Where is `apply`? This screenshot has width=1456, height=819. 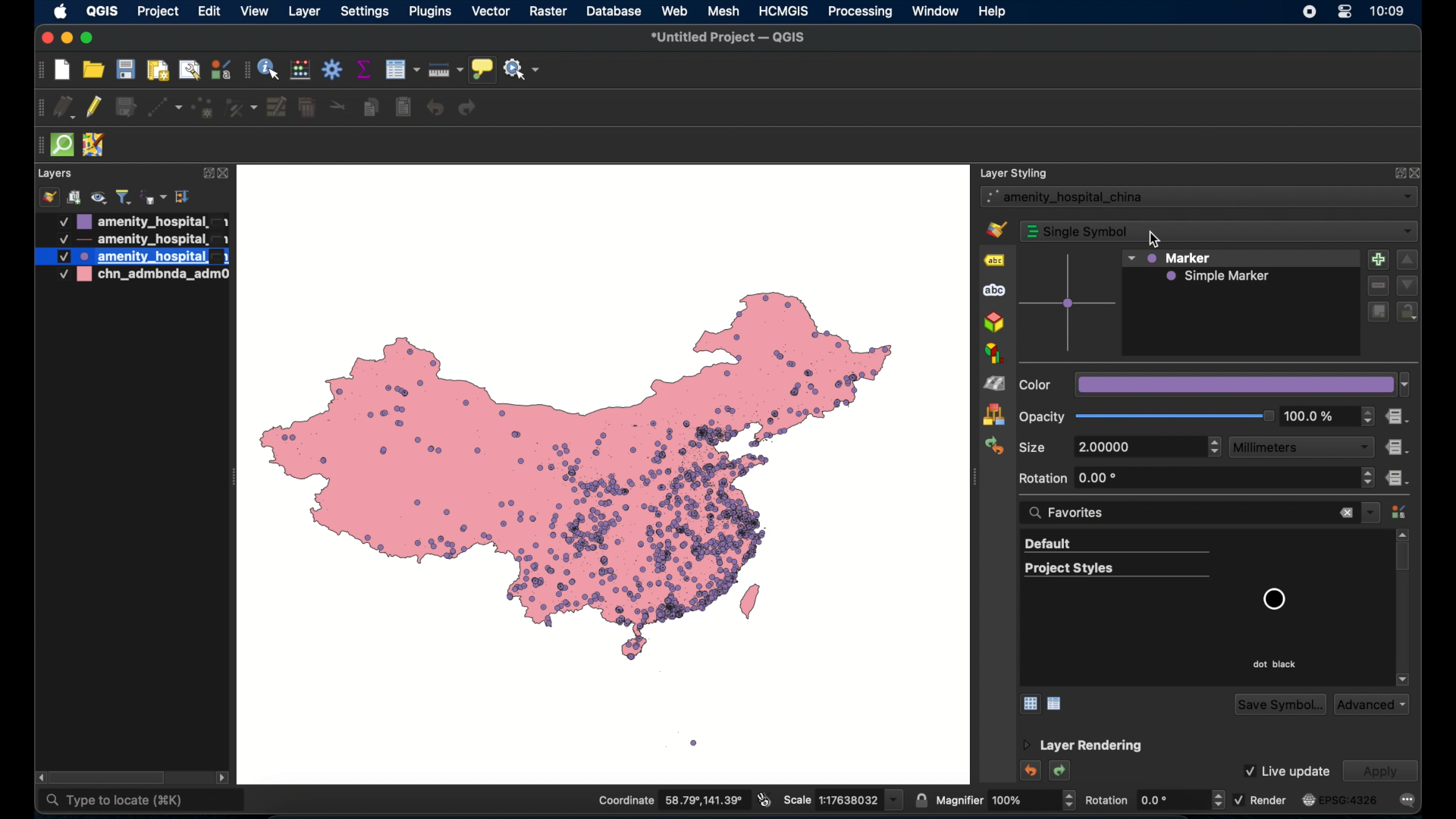 apply is located at coordinates (1379, 770).